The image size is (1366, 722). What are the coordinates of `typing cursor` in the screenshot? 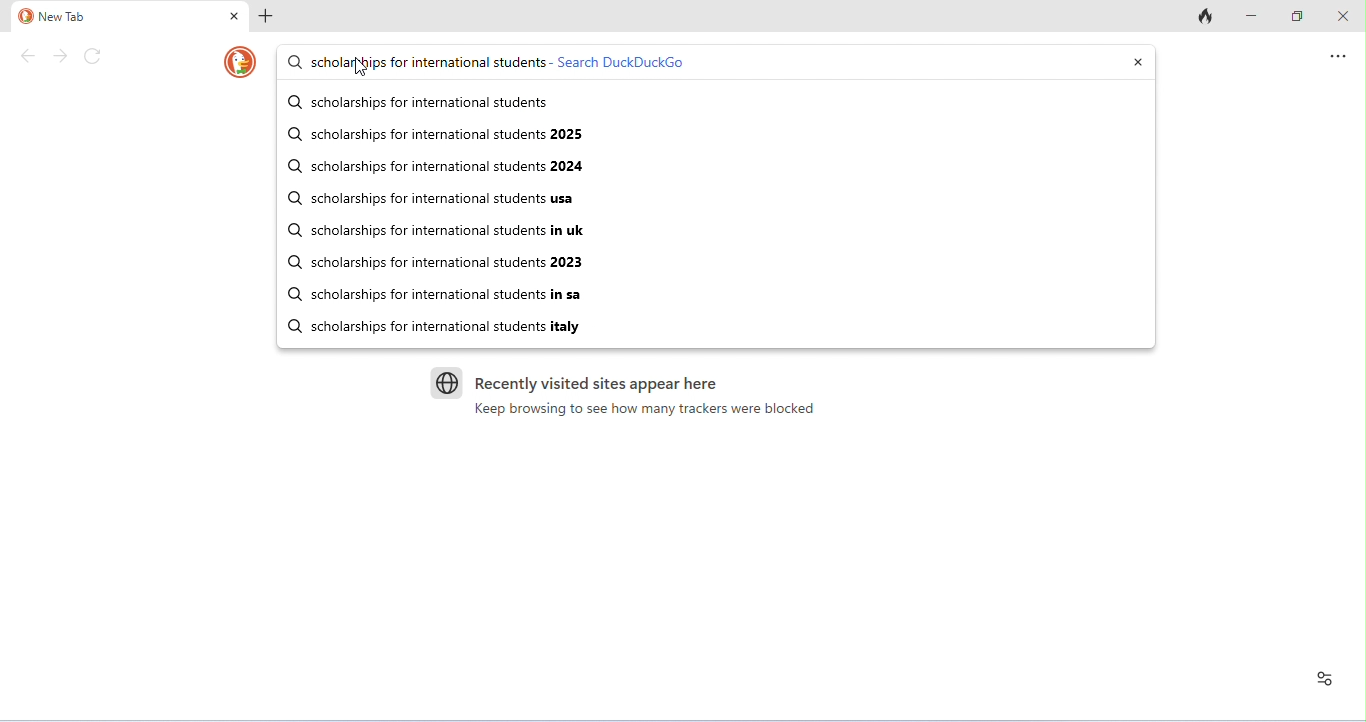 It's located at (359, 58).